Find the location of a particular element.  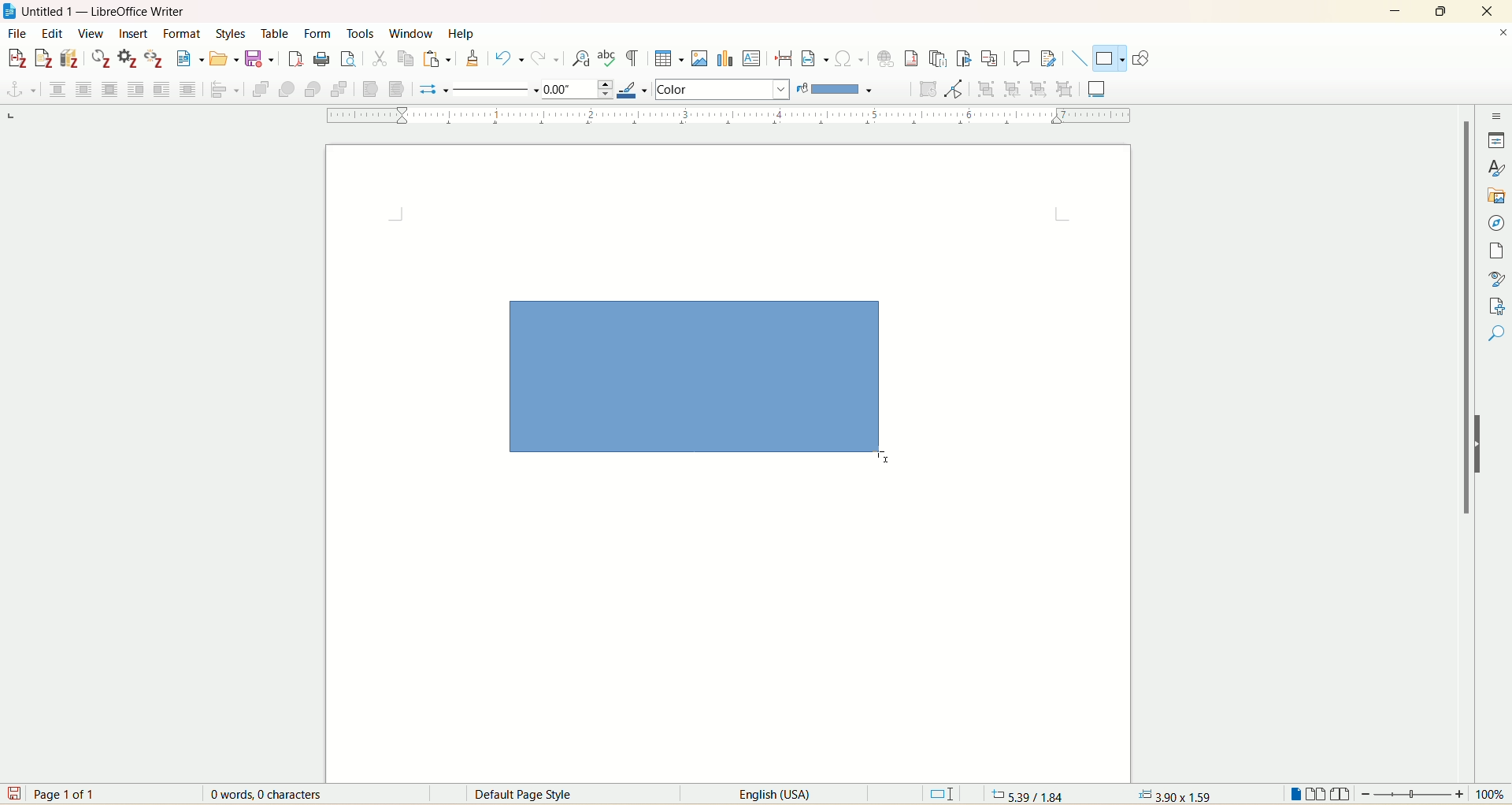

insert symbol is located at coordinates (849, 58).